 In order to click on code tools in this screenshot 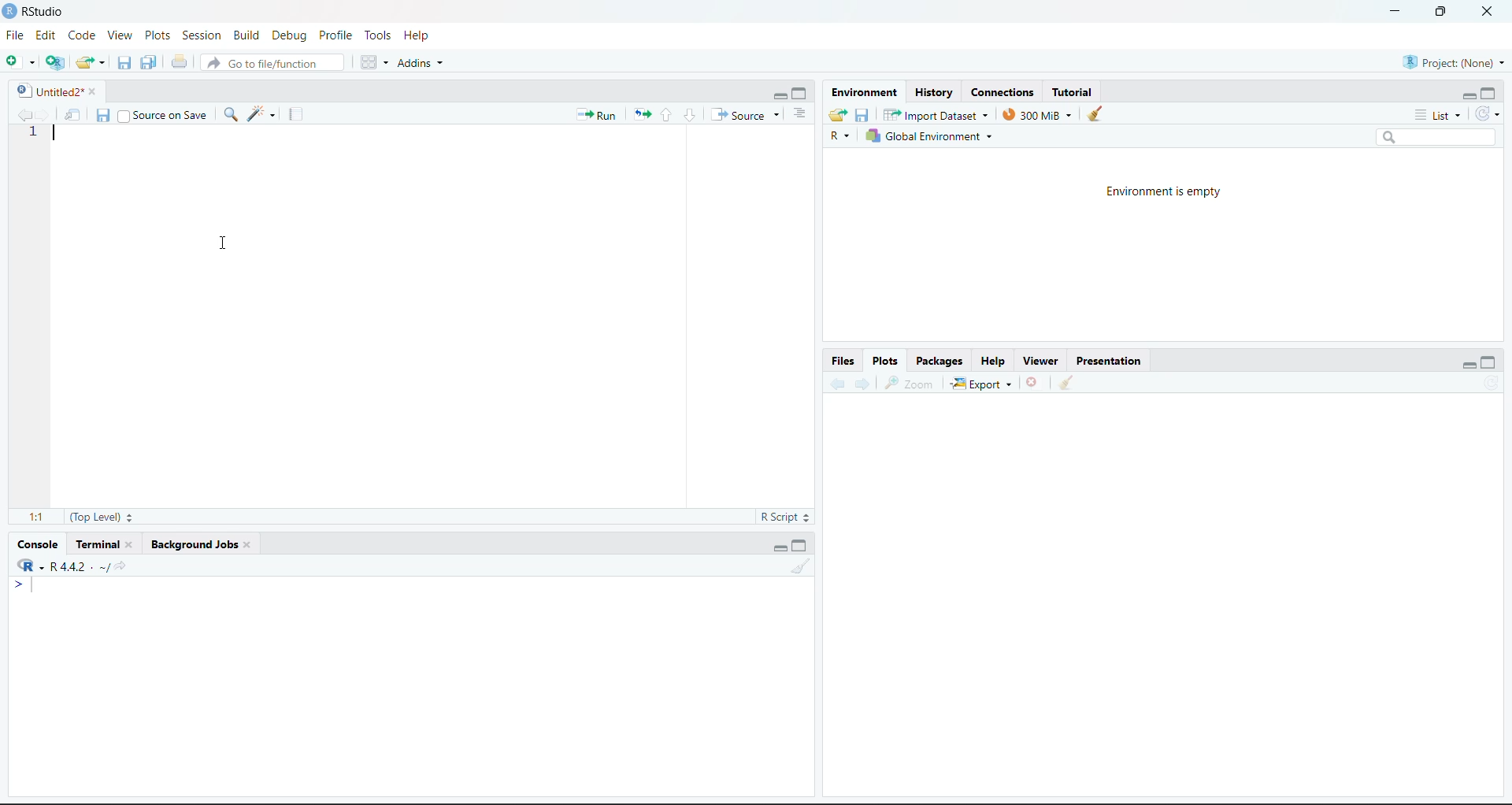, I will do `click(261, 114)`.